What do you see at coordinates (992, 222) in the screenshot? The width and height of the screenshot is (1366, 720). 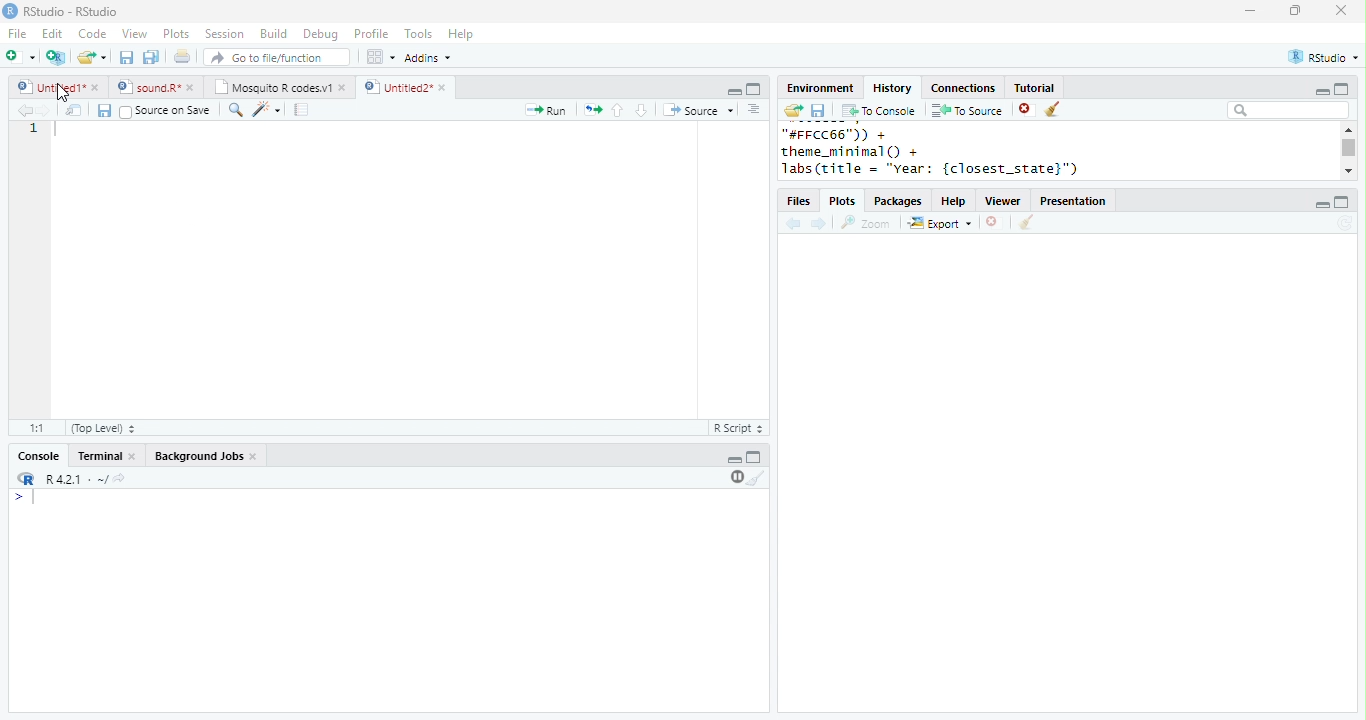 I see `close file` at bounding box center [992, 222].